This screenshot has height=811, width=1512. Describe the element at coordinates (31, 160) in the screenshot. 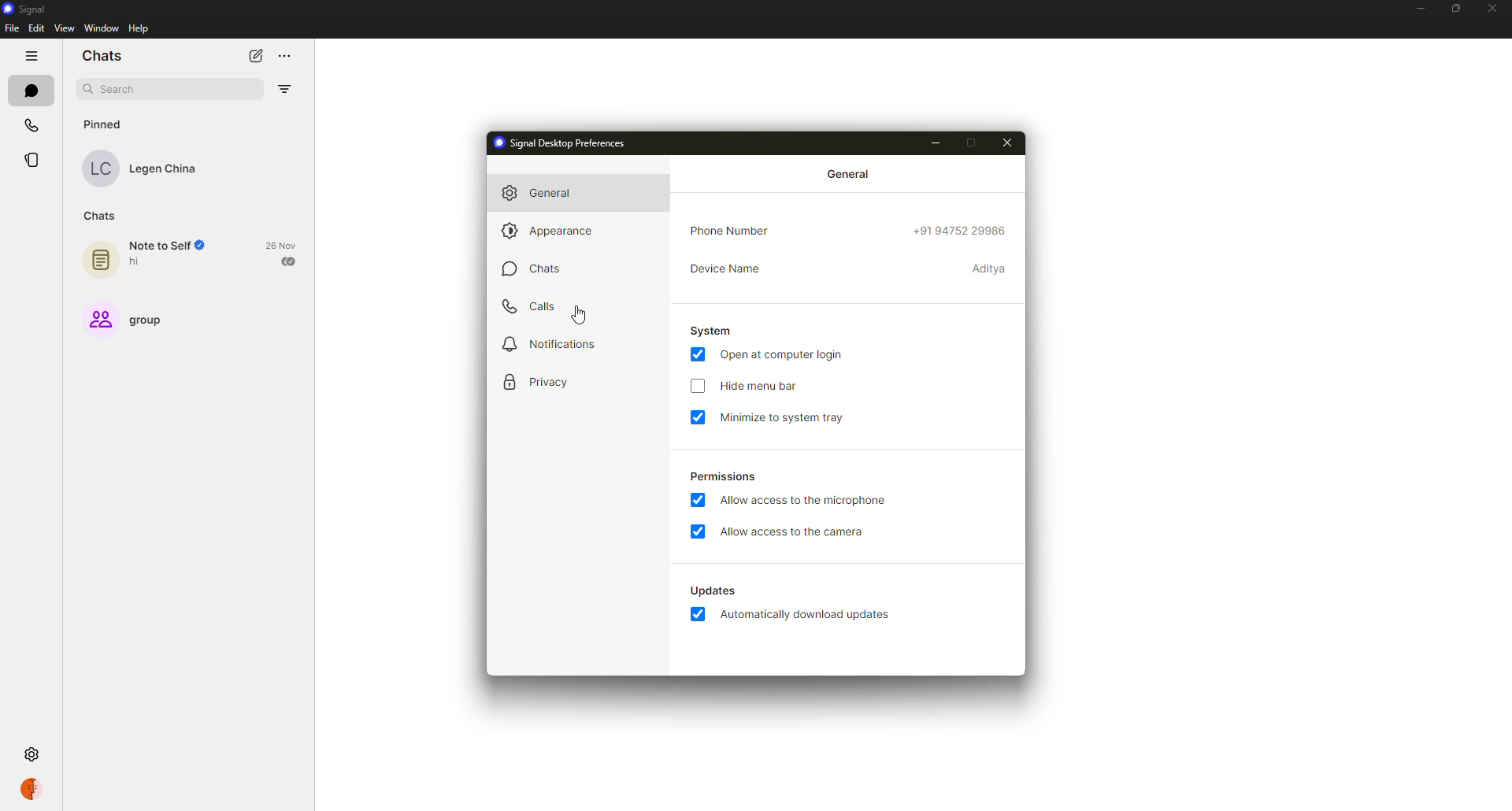

I see `stories` at that location.